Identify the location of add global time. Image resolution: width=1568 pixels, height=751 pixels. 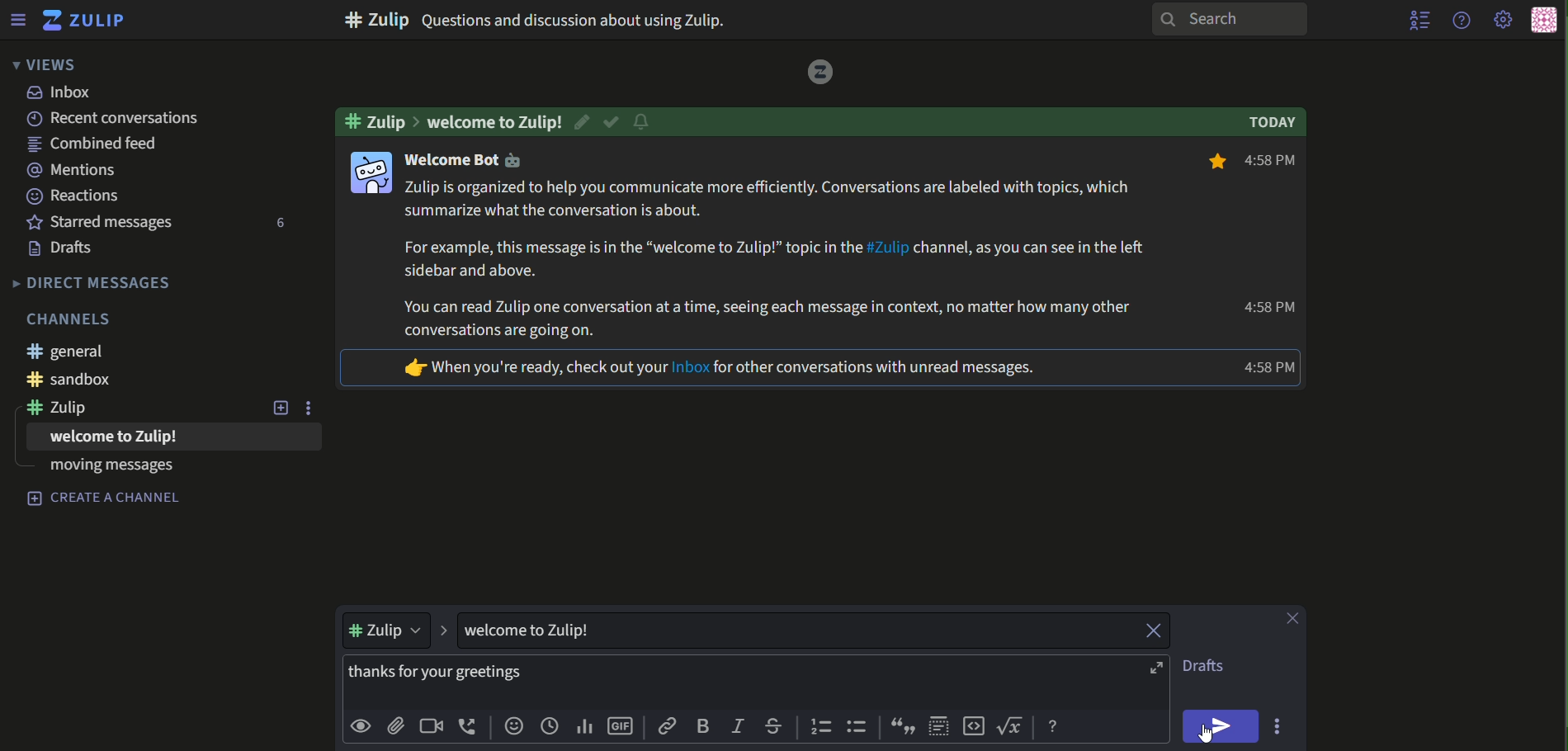
(550, 727).